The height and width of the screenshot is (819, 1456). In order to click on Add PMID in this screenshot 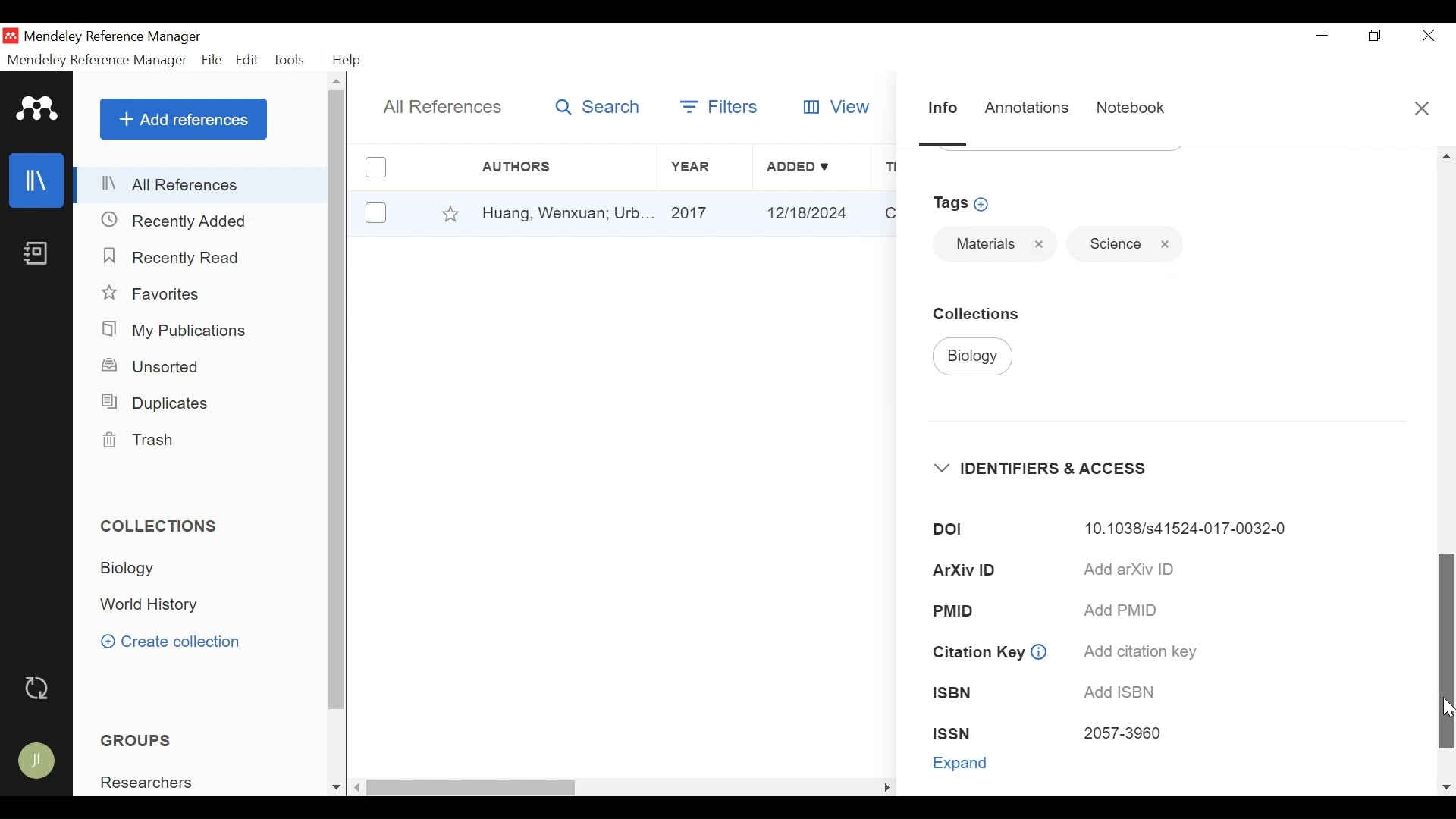, I will do `click(1127, 610)`.